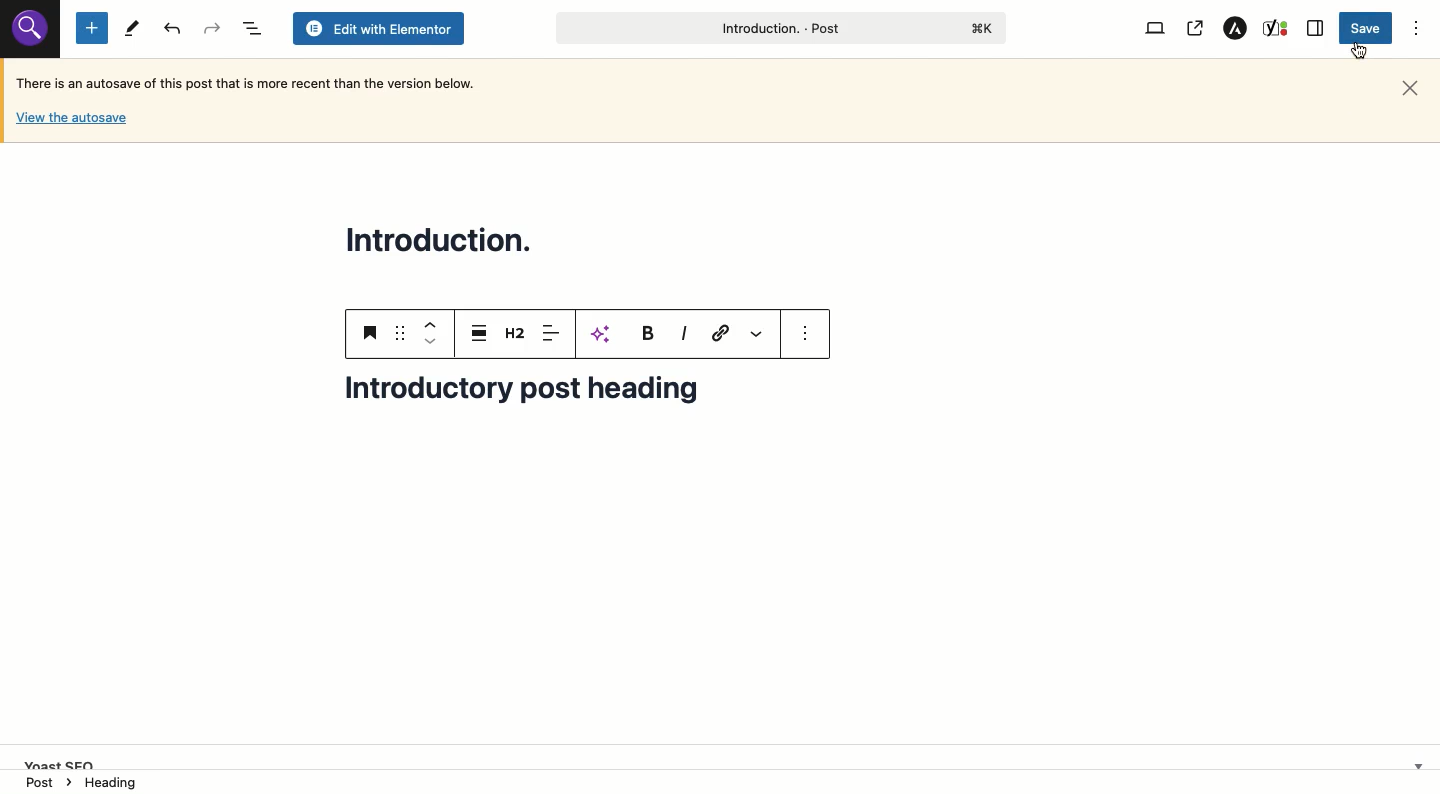 This screenshot has height=794, width=1440. What do you see at coordinates (378, 29) in the screenshot?
I see `Edit with elementor` at bounding box center [378, 29].